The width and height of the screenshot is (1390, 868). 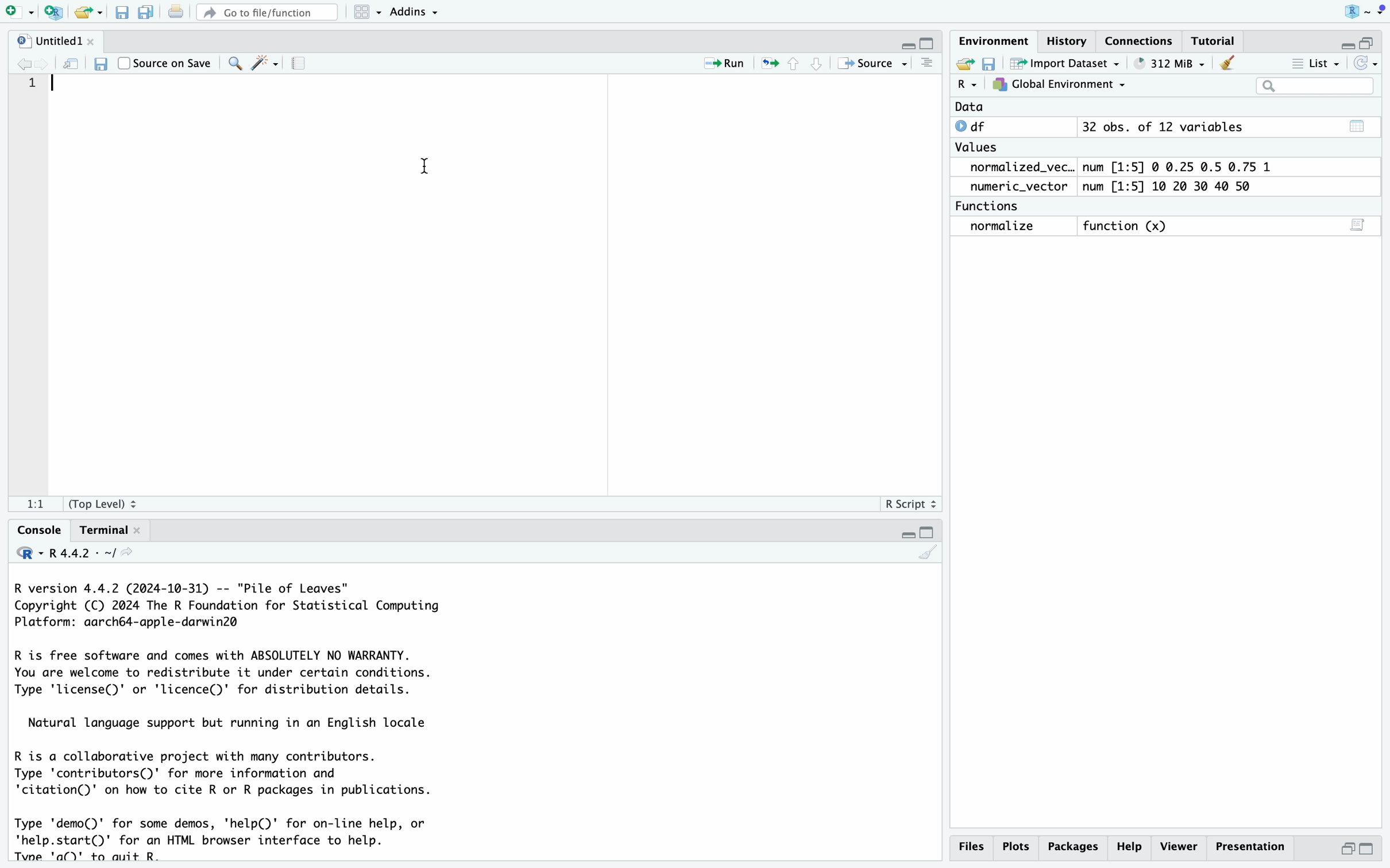 What do you see at coordinates (1125, 166) in the screenshot?
I see `normalized_vec.. num [1:5] @ 0.25 0.5 0.75 1` at bounding box center [1125, 166].